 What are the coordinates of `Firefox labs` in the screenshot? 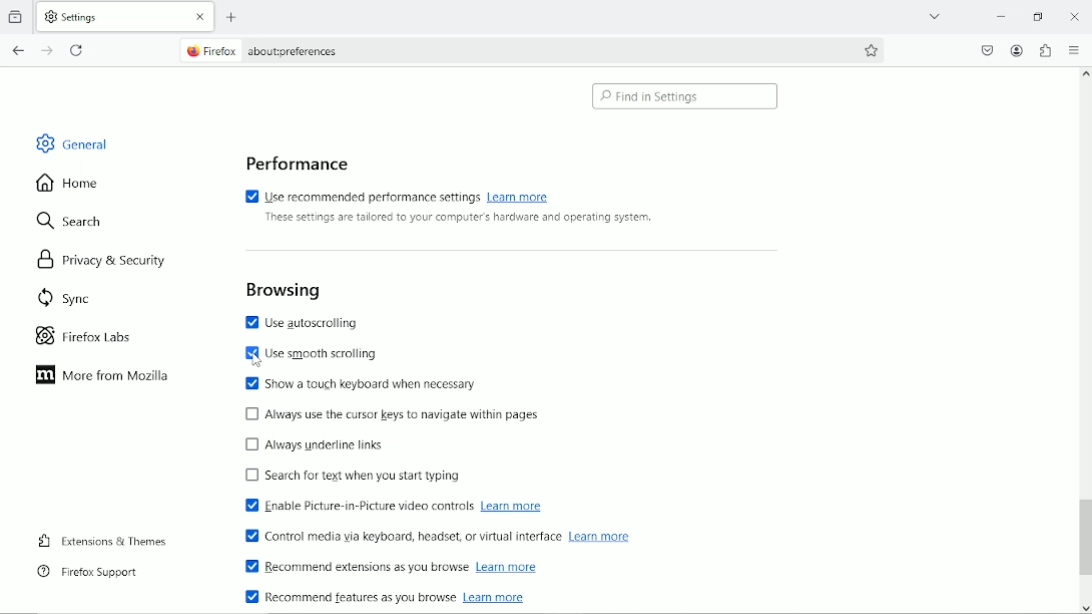 It's located at (98, 336).